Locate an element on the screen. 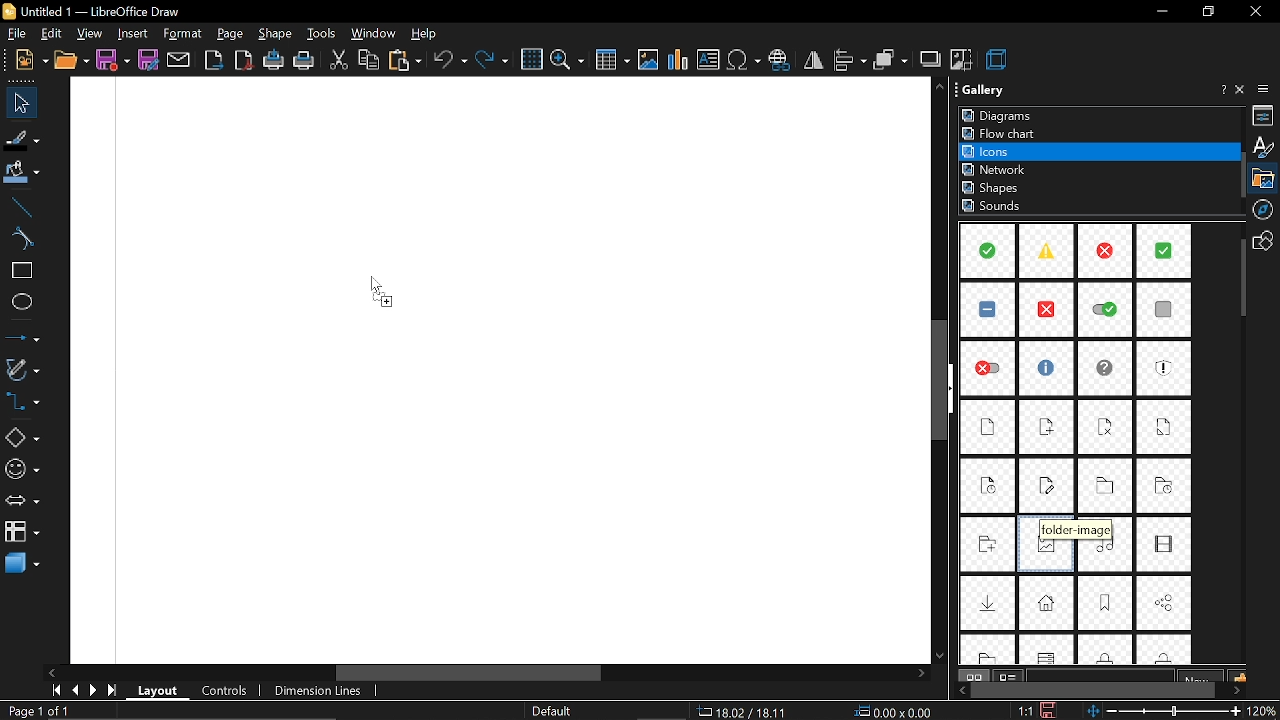 This screenshot has width=1280, height=720. attach is located at coordinates (179, 59).